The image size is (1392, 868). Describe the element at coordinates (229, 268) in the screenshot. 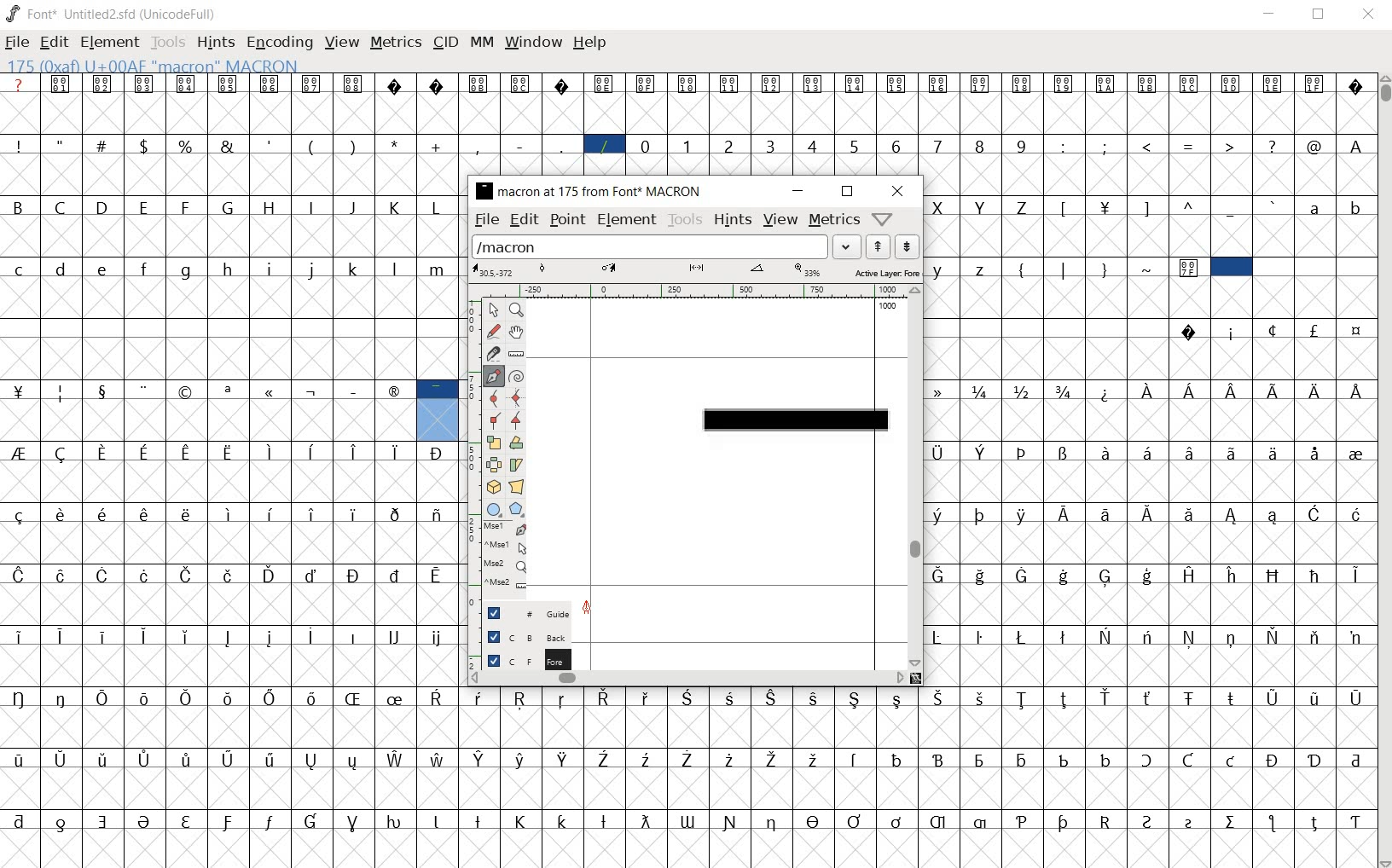

I see `h` at that location.